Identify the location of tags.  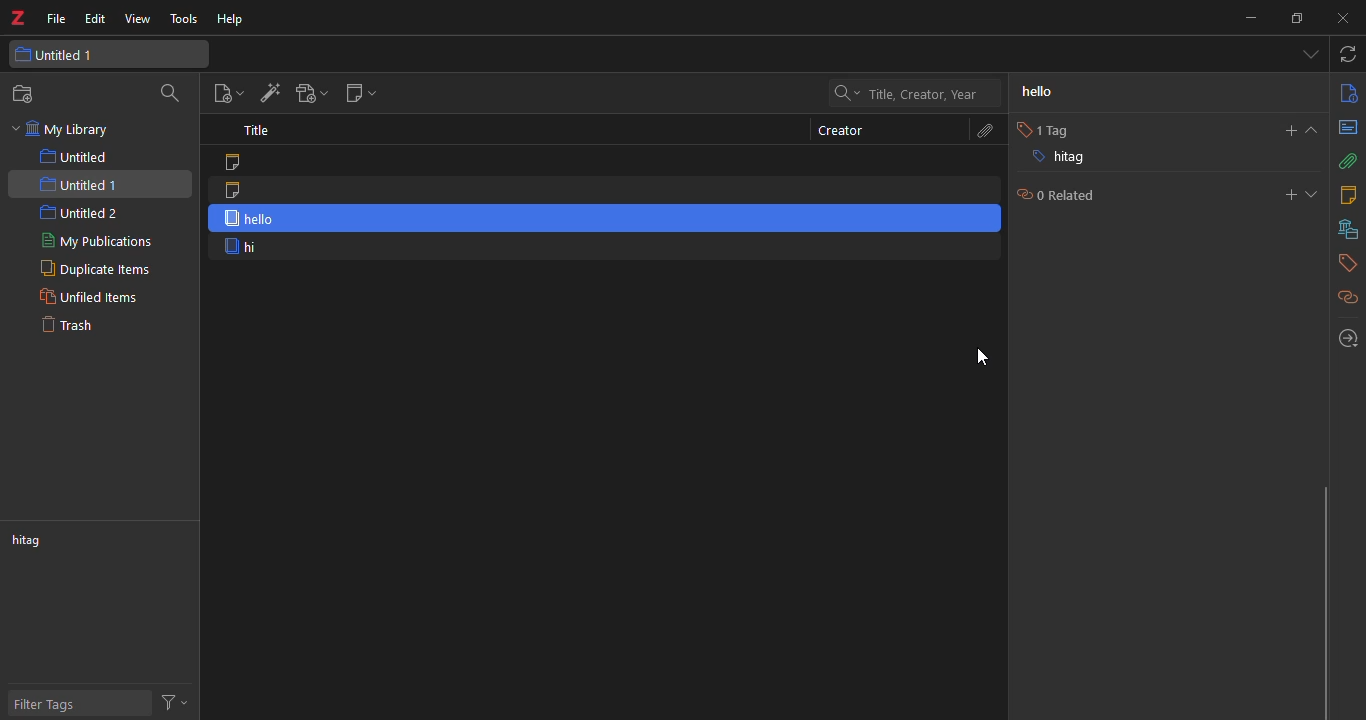
(1345, 263).